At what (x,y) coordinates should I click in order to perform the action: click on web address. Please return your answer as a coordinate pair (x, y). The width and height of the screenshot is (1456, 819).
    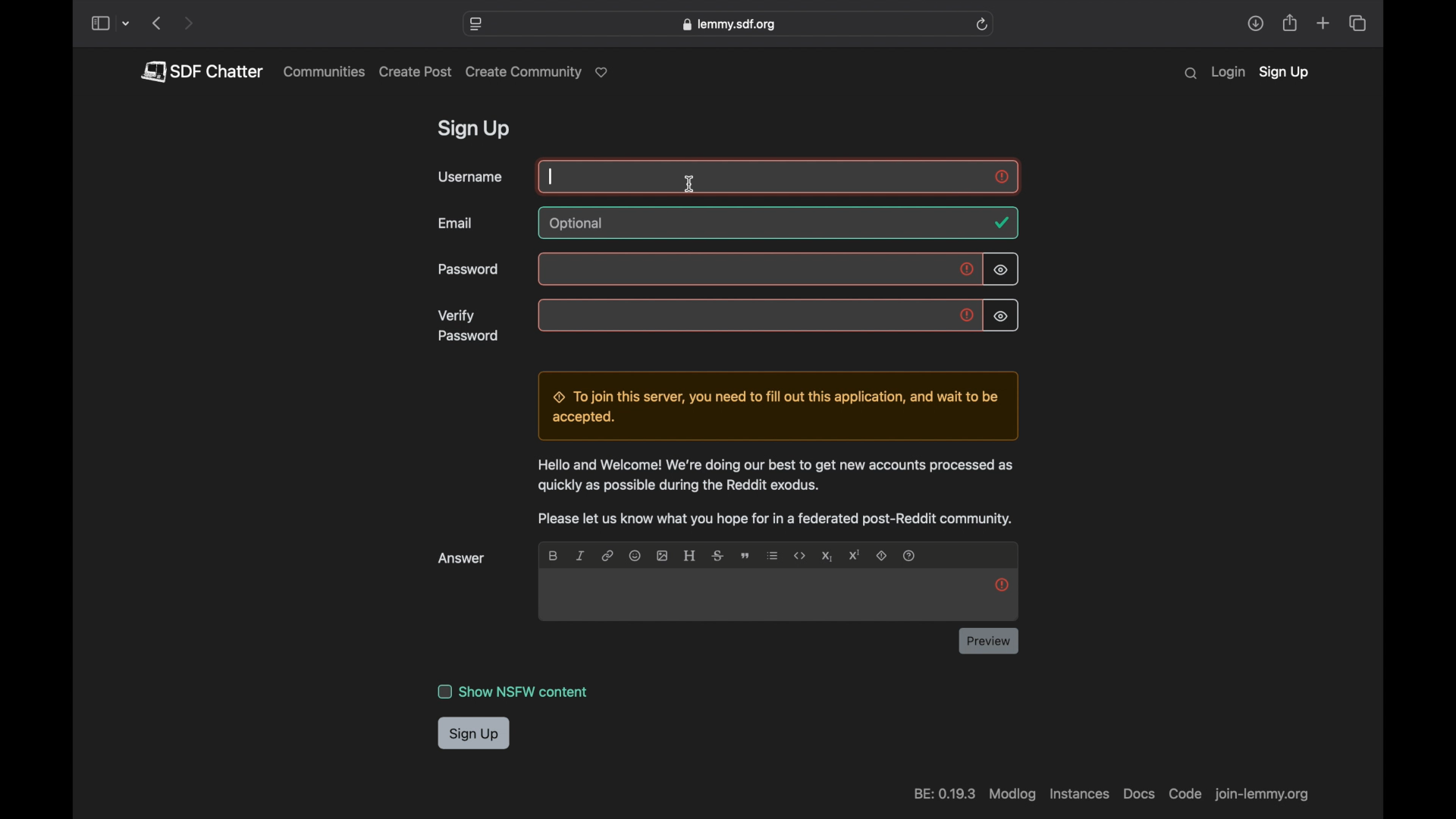
    Looking at the image, I should click on (728, 24).